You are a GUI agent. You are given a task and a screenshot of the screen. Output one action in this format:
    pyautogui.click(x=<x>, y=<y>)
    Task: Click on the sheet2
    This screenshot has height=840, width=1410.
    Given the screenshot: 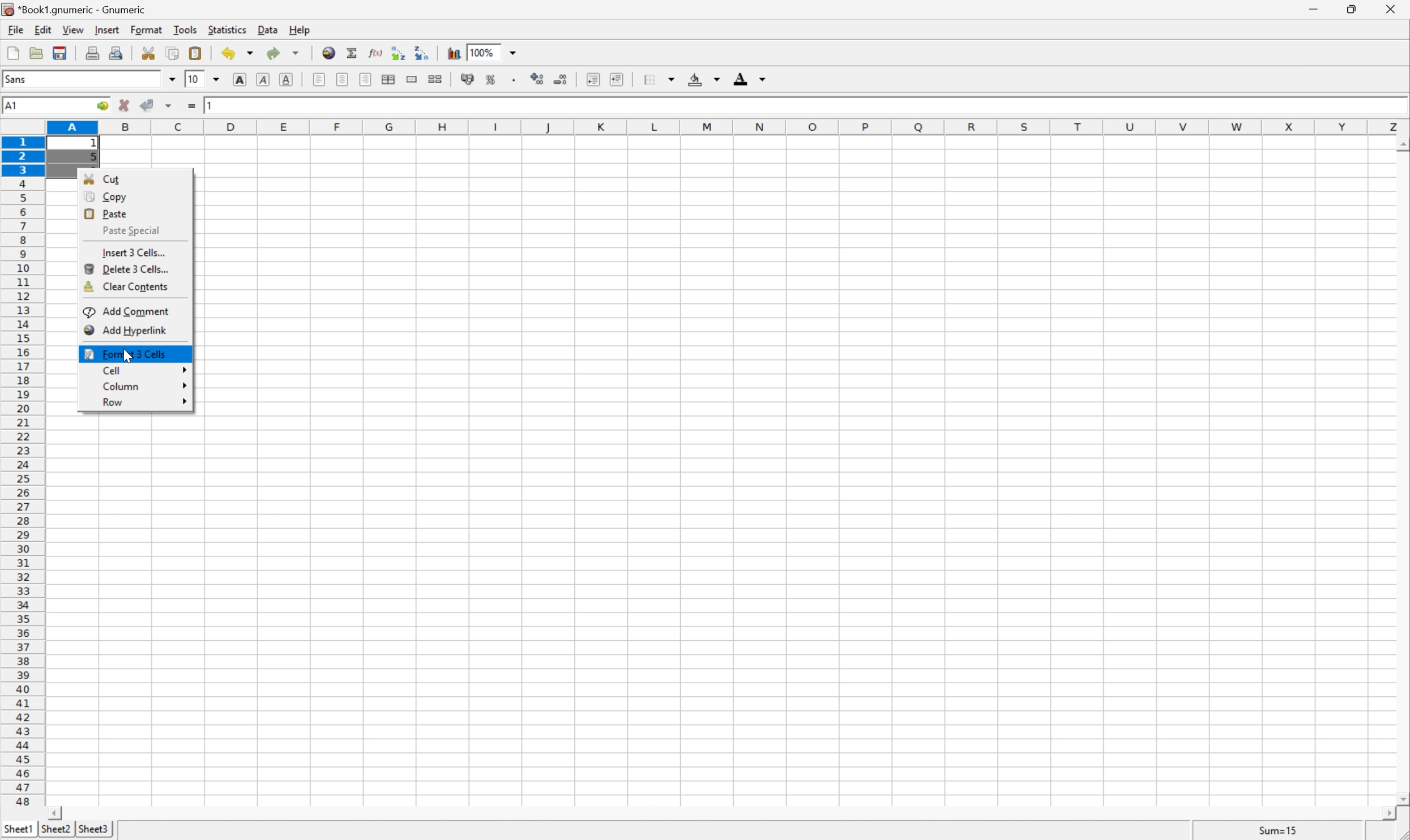 What is the action you would take?
    pyautogui.click(x=55, y=832)
    